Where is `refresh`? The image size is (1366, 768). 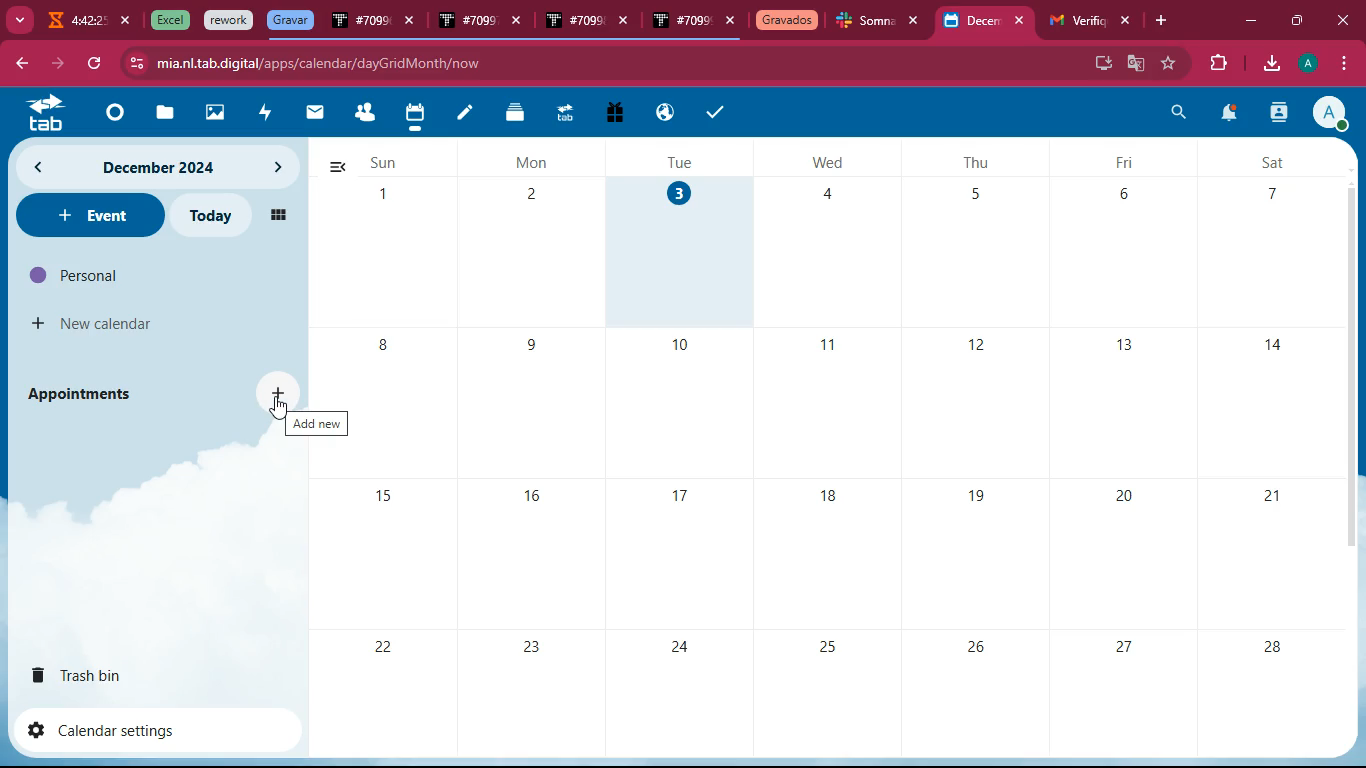
refresh is located at coordinates (94, 64).